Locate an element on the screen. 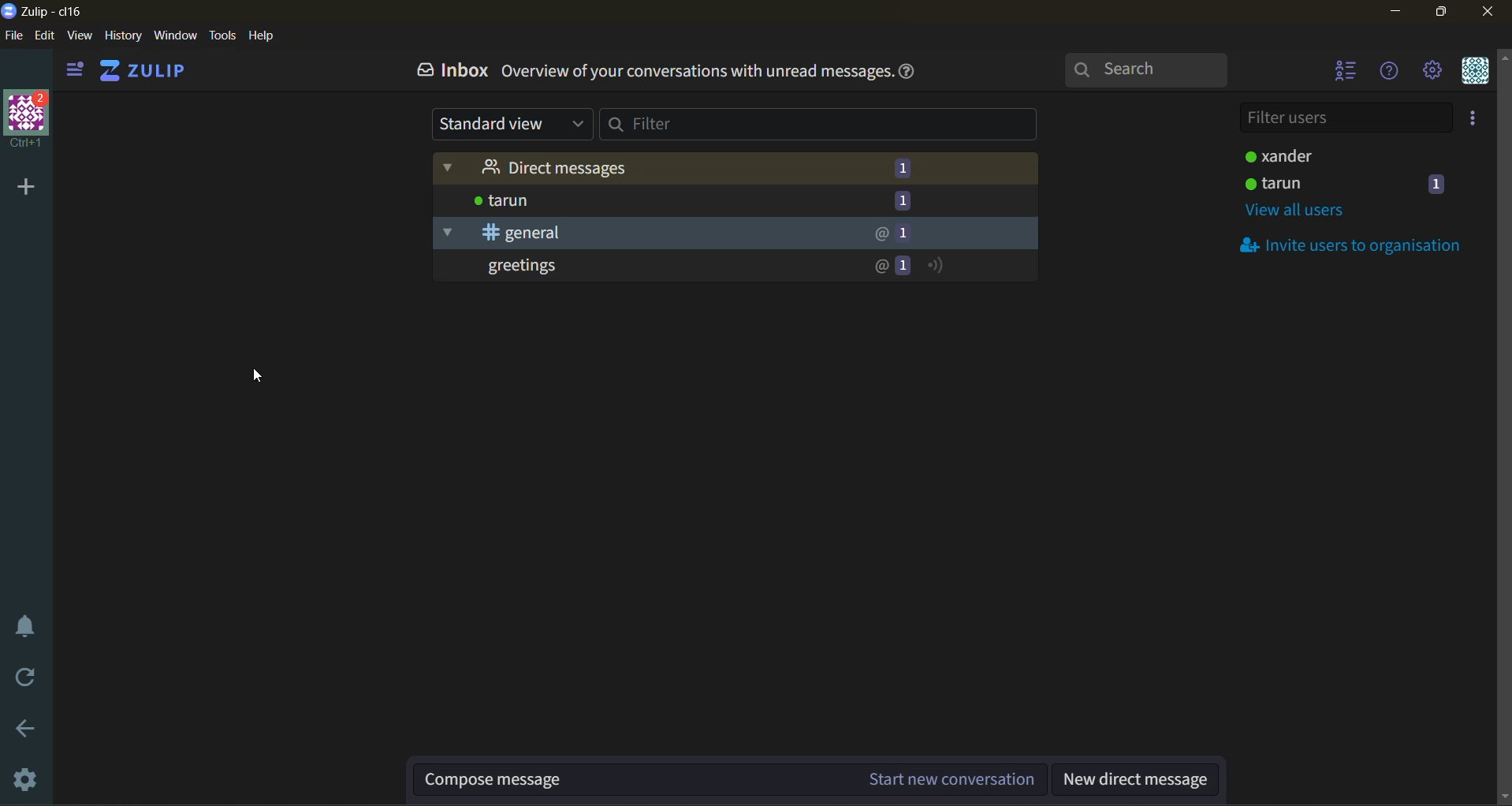 The height and width of the screenshot is (806, 1512). home view is located at coordinates (155, 71).